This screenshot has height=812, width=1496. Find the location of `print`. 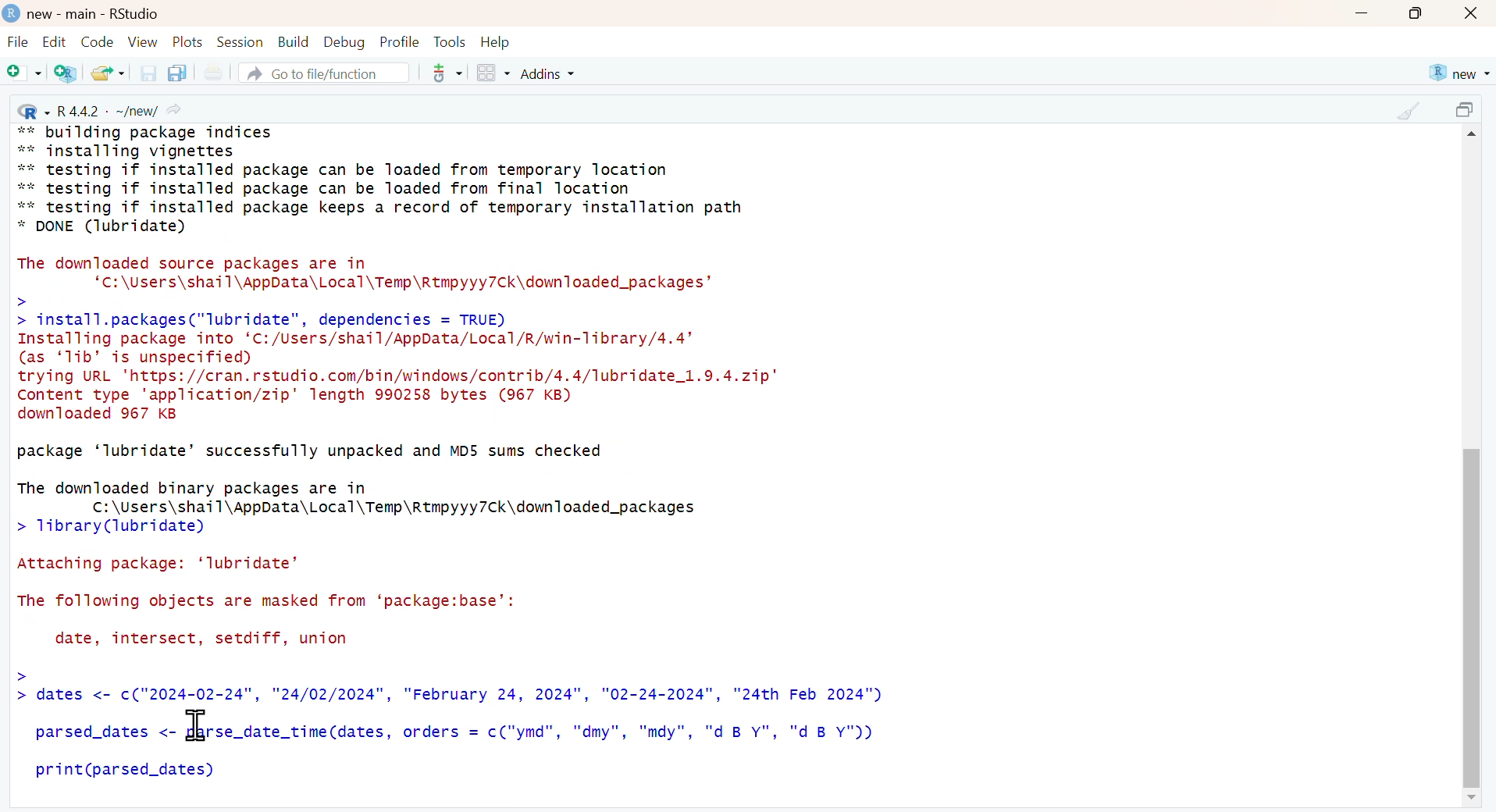

print is located at coordinates (212, 73).